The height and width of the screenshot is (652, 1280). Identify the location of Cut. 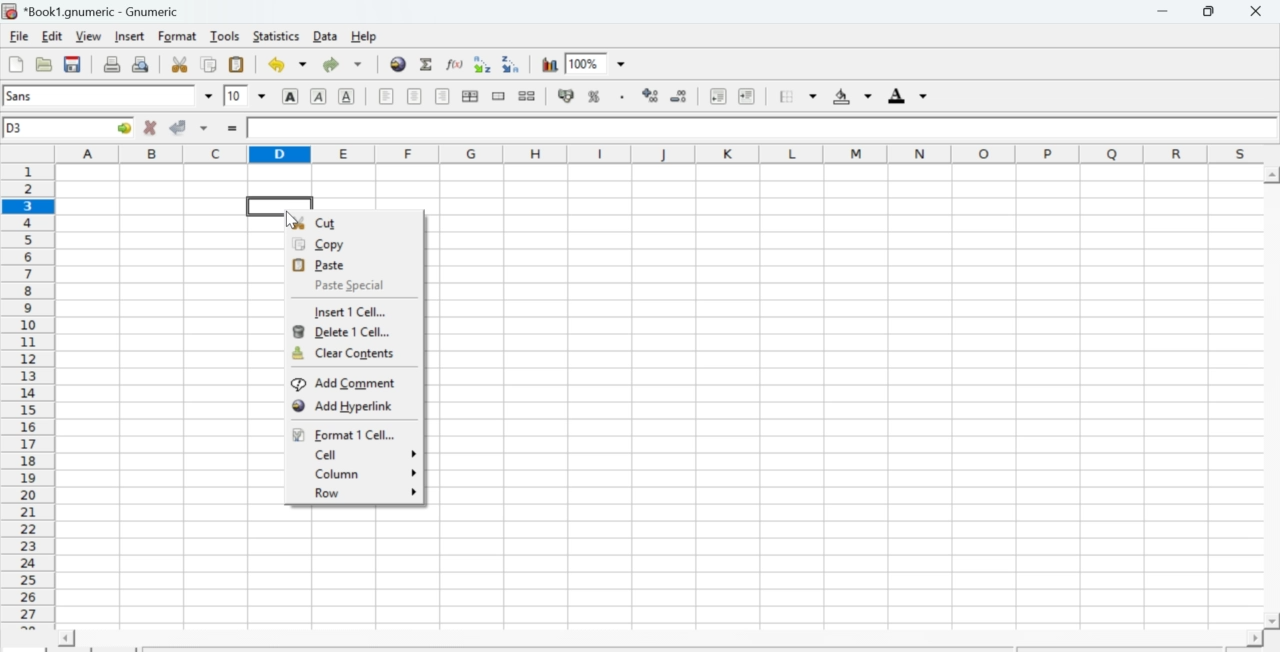
(330, 222).